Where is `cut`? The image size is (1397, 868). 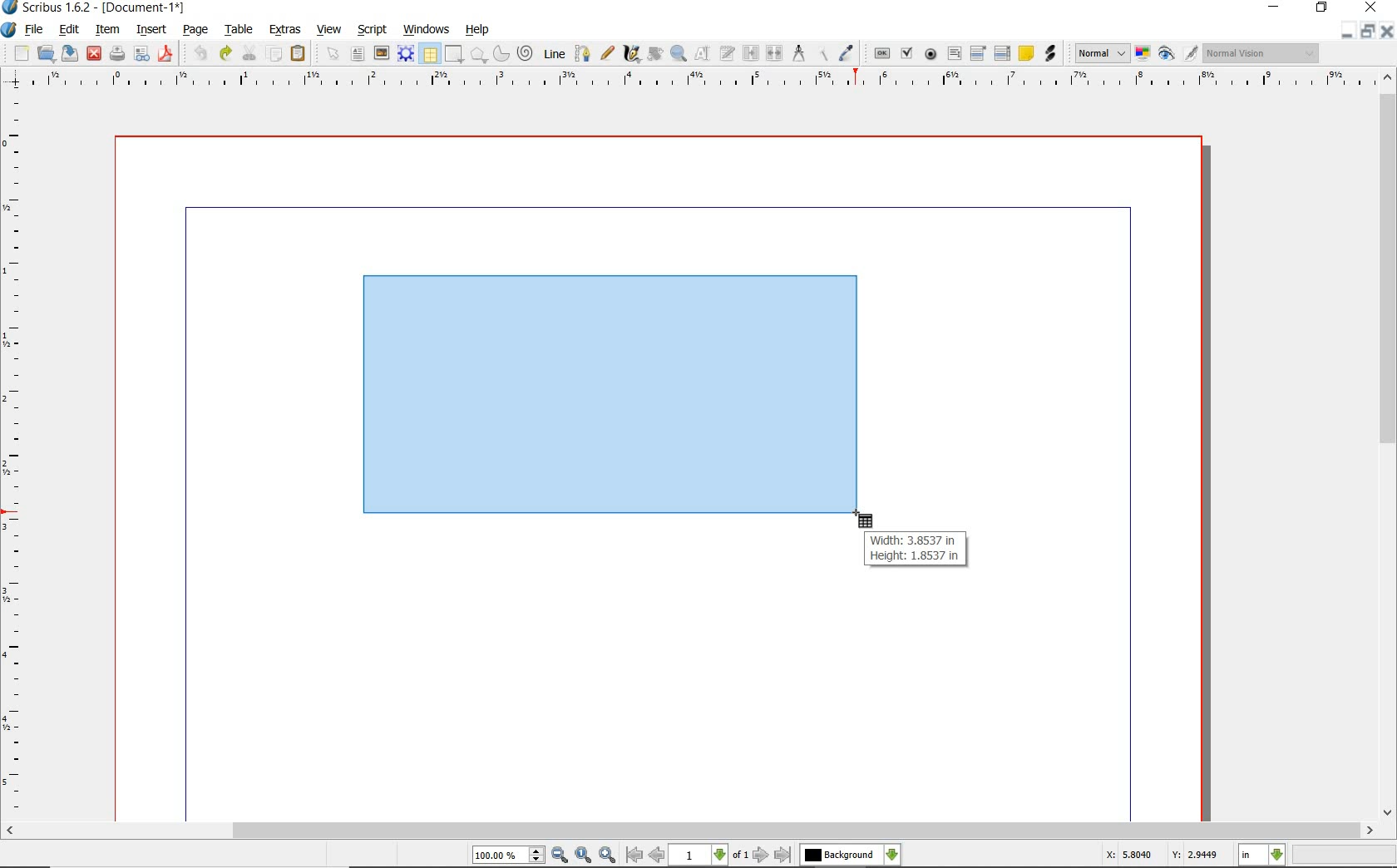
cut is located at coordinates (251, 52).